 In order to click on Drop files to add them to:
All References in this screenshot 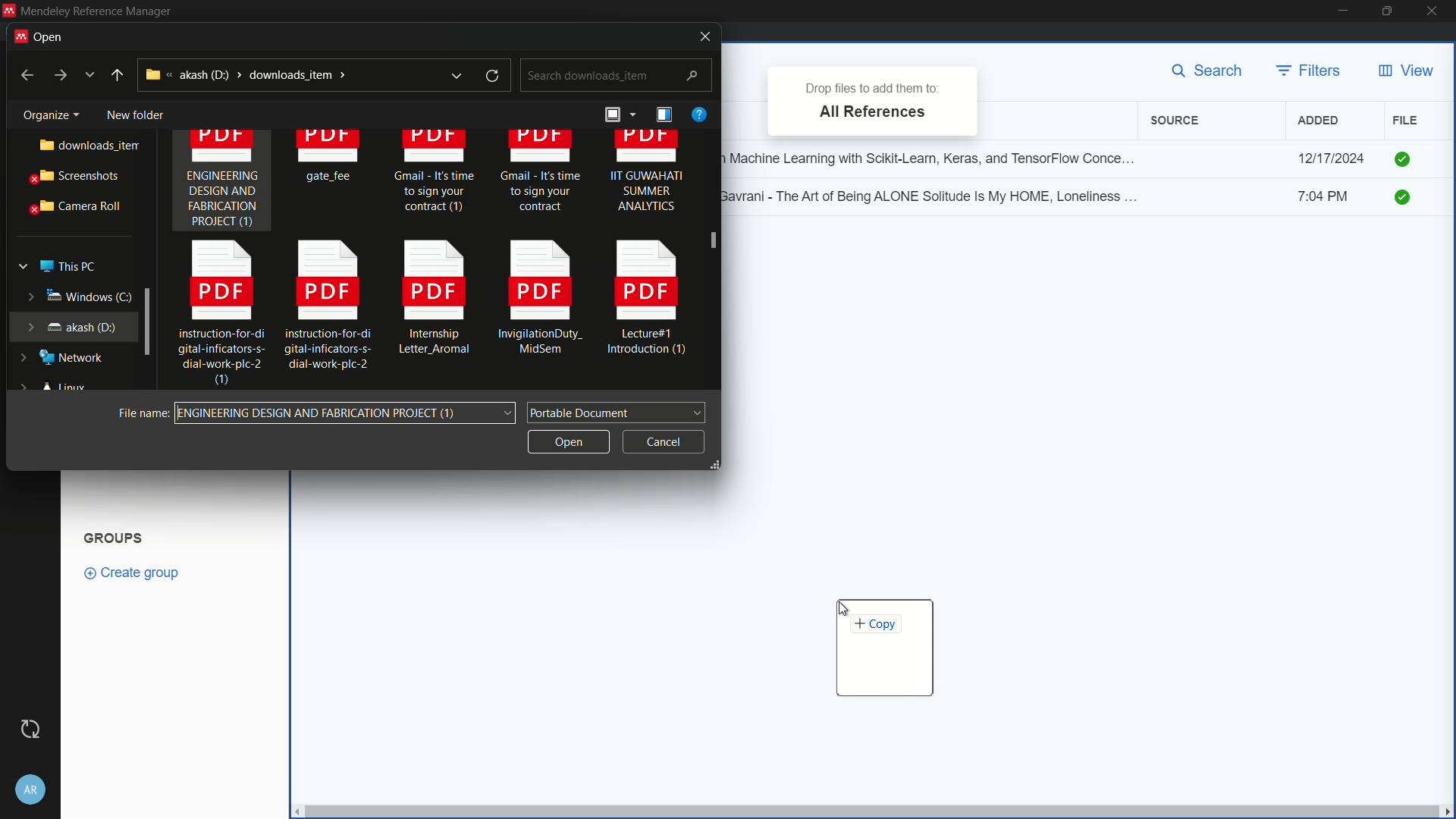, I will do `click(877, 101)`.